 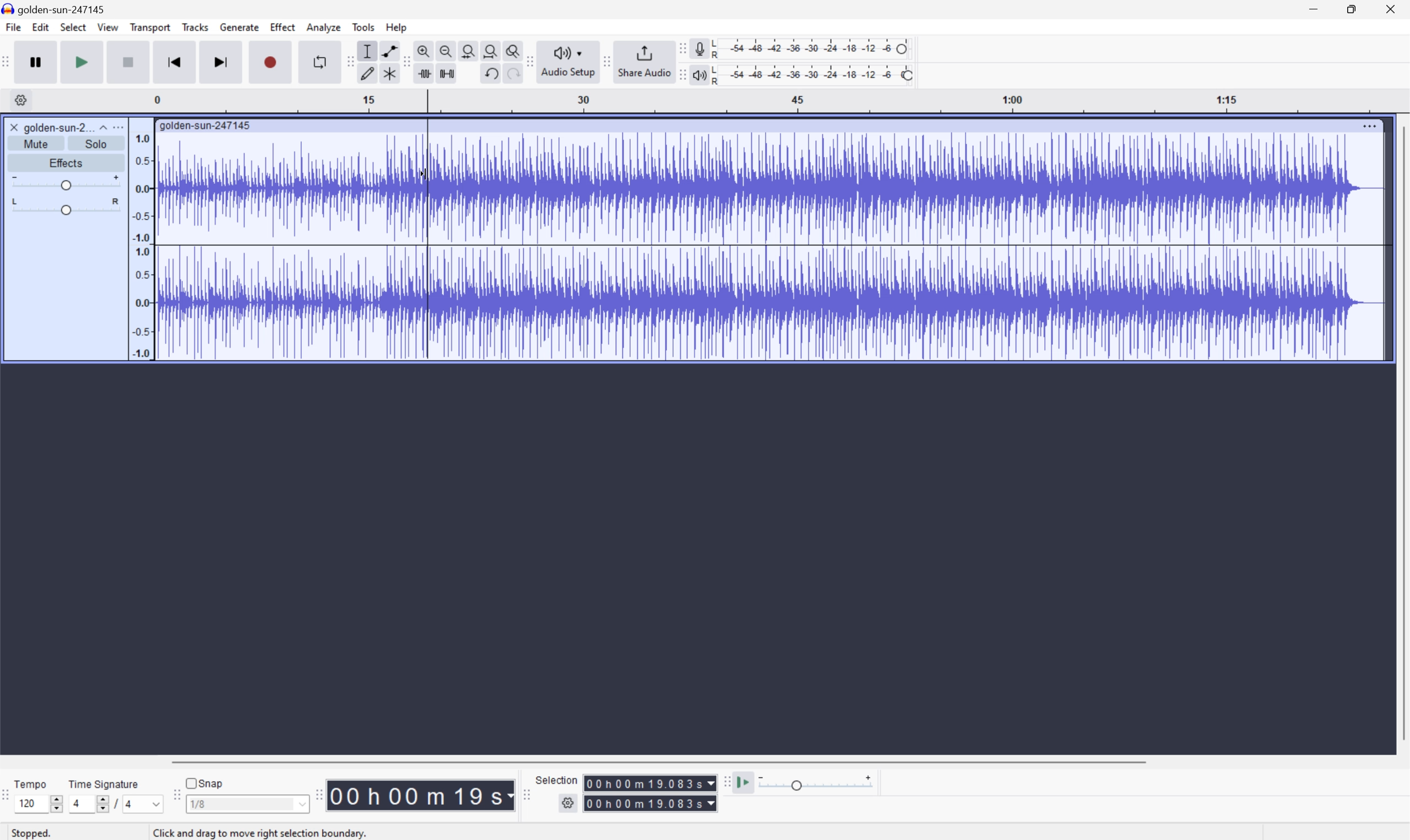 I want to click on Audio setup, so click(x=570, y=61).